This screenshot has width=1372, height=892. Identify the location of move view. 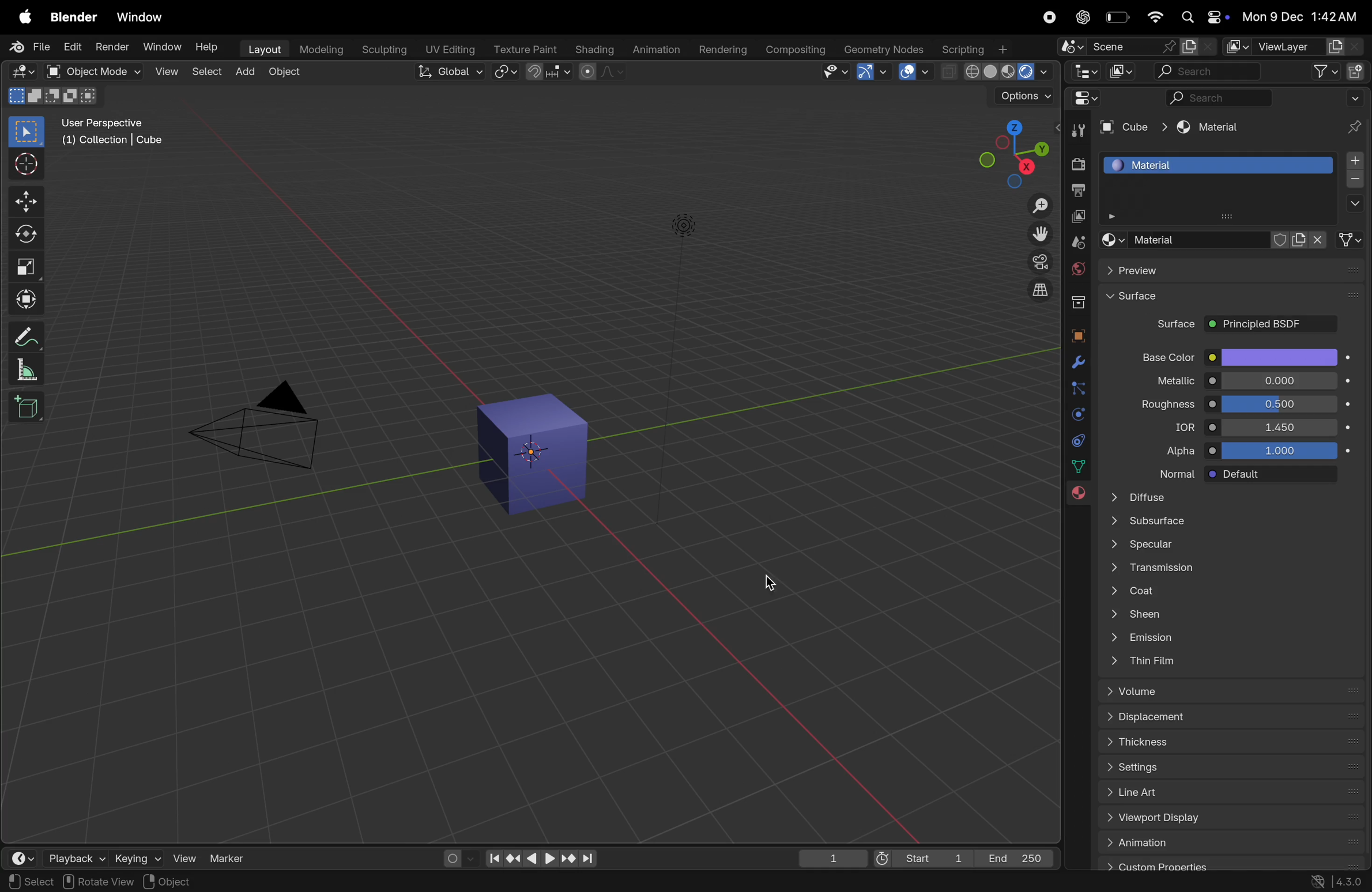
(1041, 234).